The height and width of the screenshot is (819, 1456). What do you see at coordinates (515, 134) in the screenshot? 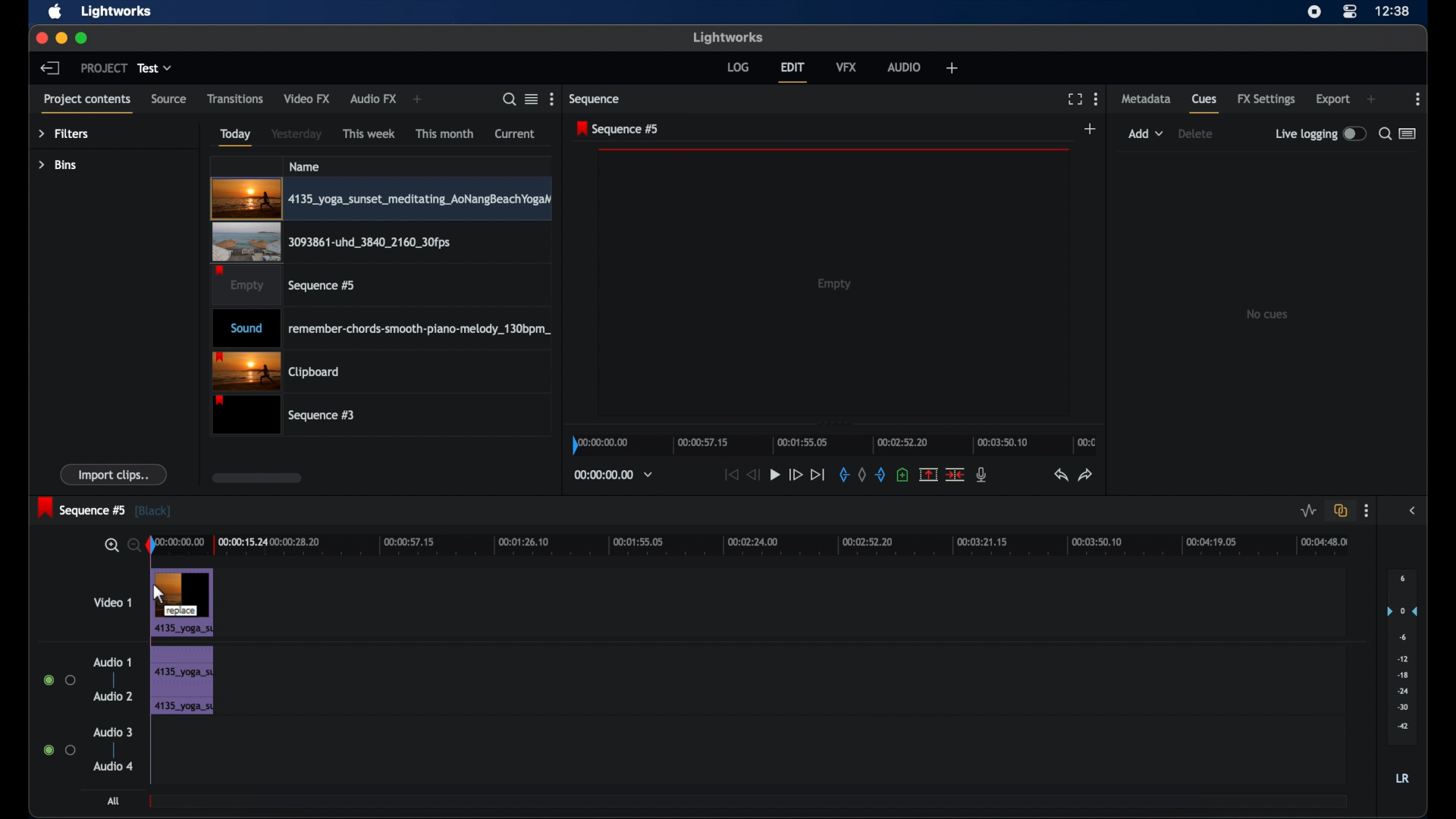
I see `current` at bounding box center [515, 134].